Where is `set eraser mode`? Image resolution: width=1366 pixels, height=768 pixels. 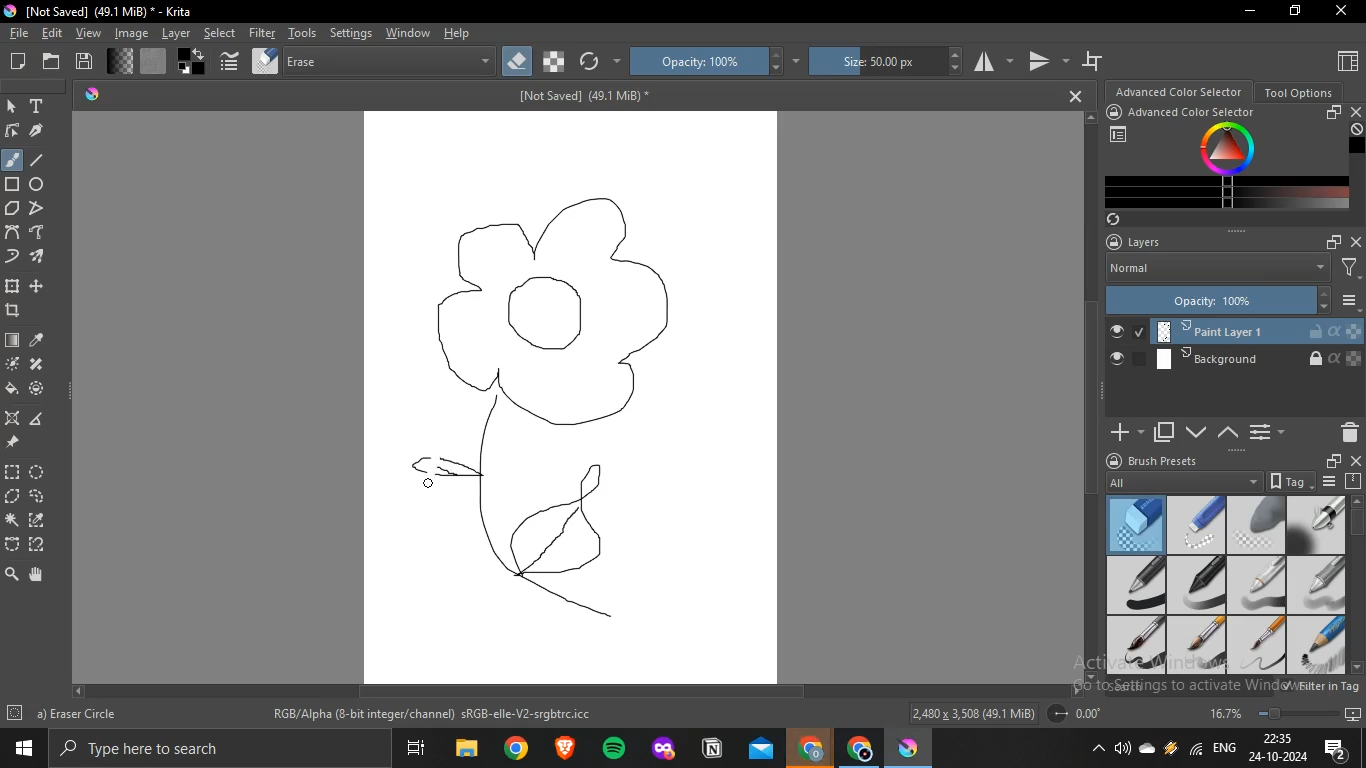
set eraser mode is located at coordinates (516, 63).